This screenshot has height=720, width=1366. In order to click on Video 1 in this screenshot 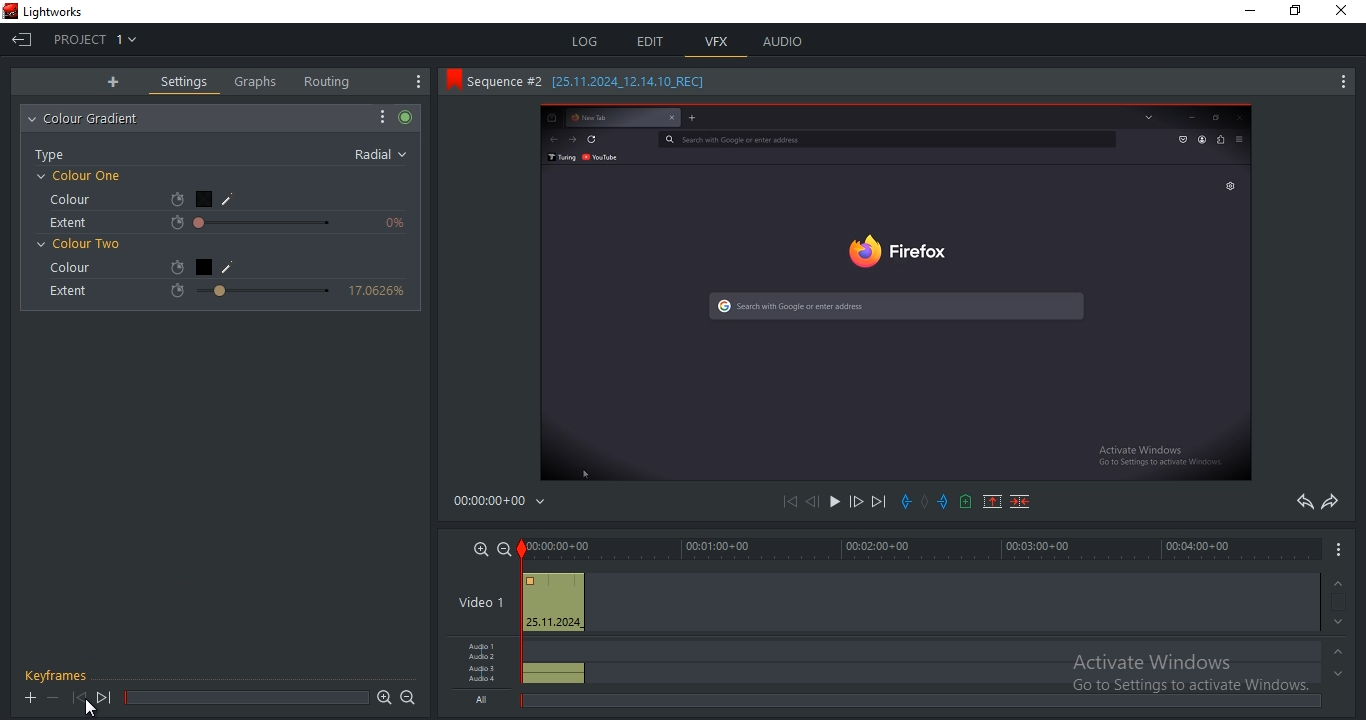, I will do `click(480, 602)`.